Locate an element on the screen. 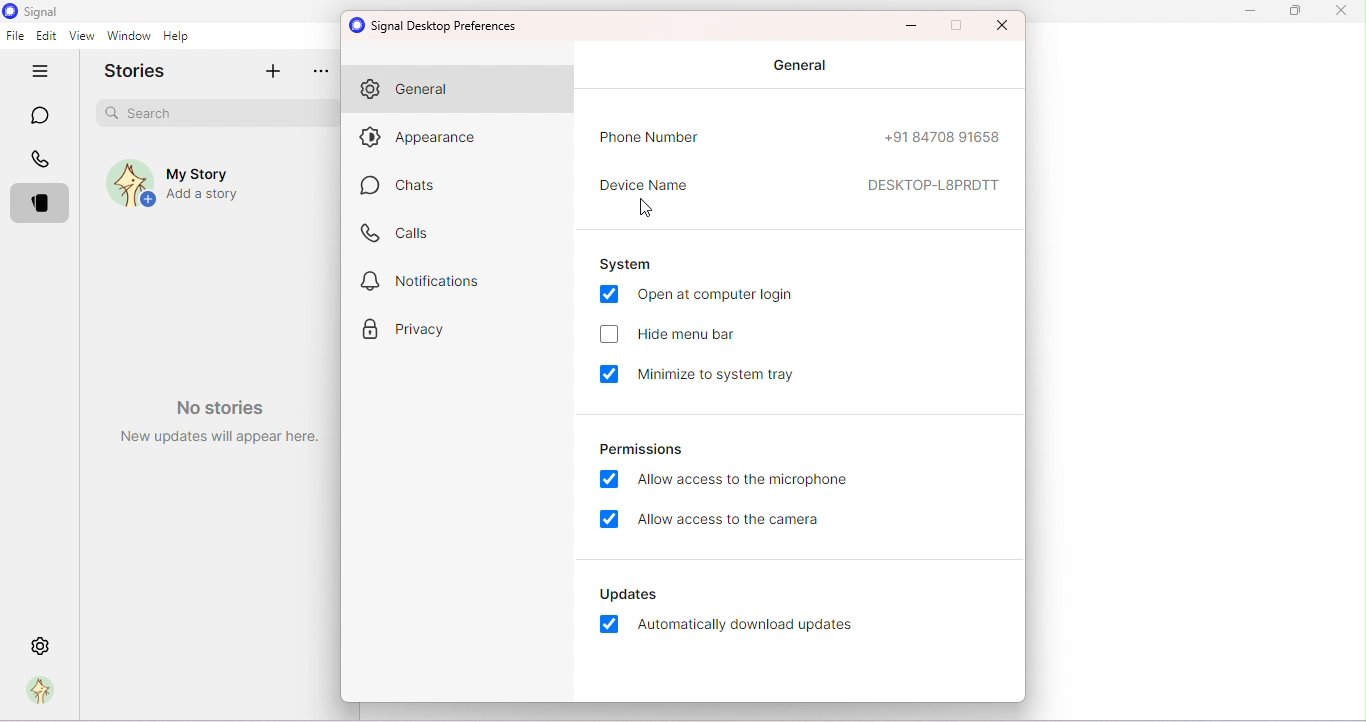 The image size is (1366, 722). General is located at coordinates (800, 66).